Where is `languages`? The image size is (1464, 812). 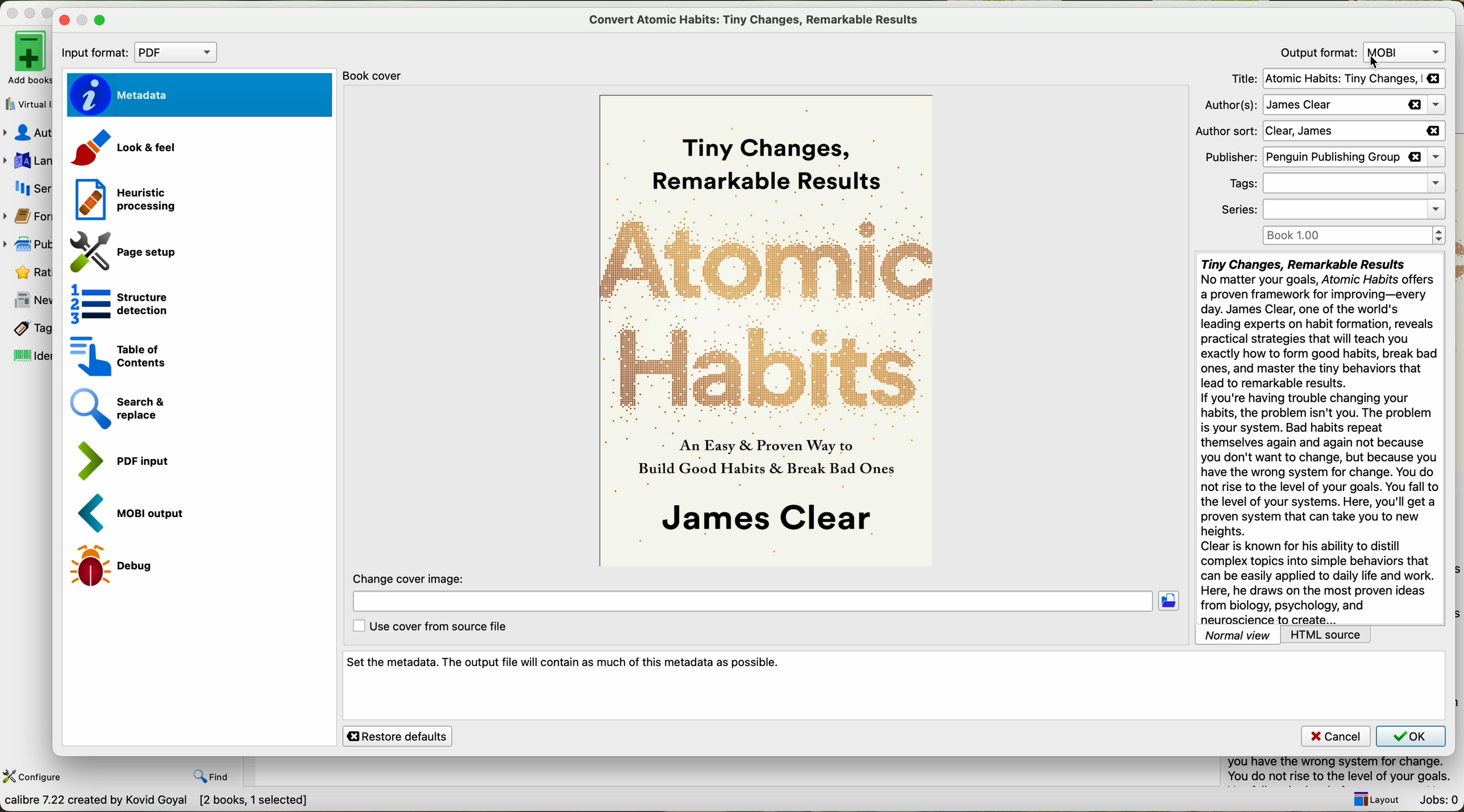 languages is located at coordinates (27, 160).